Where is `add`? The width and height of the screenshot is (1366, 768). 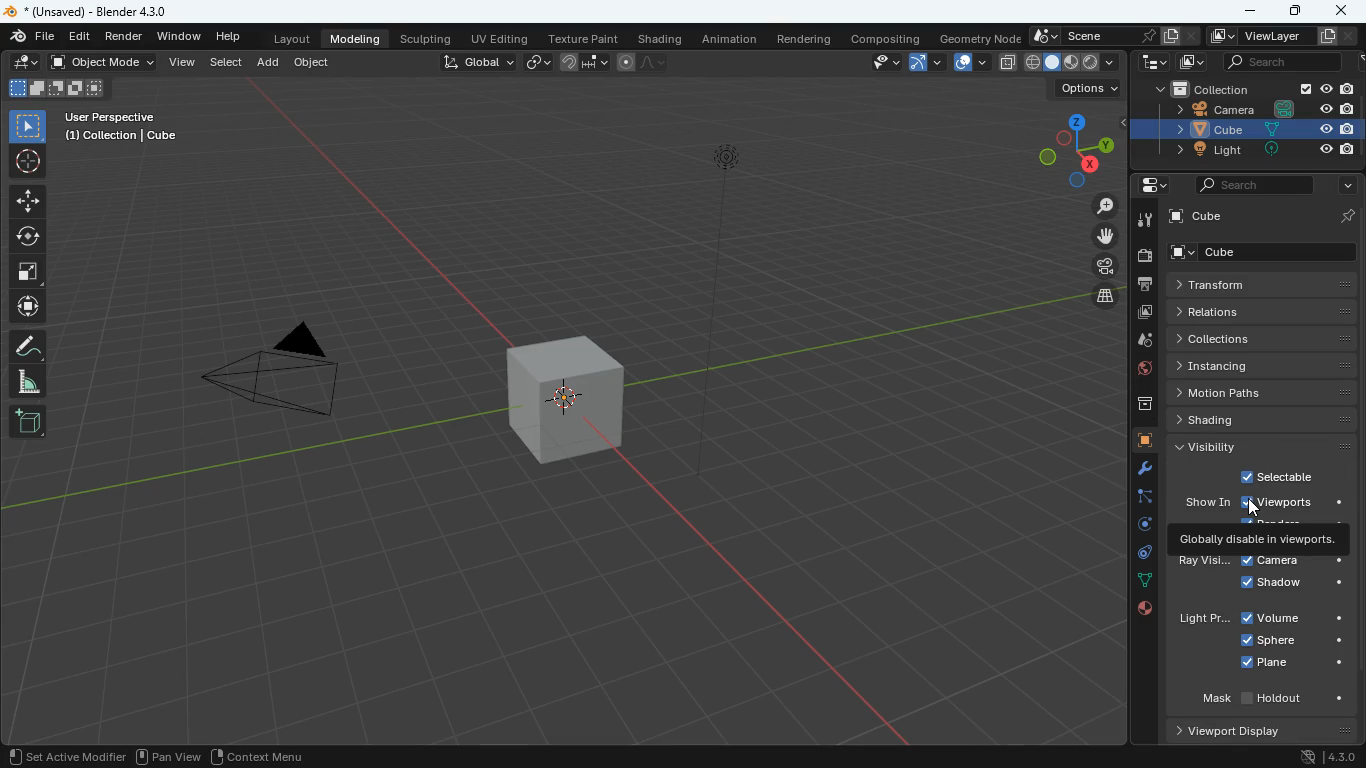
add is located at coordinates (270, 65).